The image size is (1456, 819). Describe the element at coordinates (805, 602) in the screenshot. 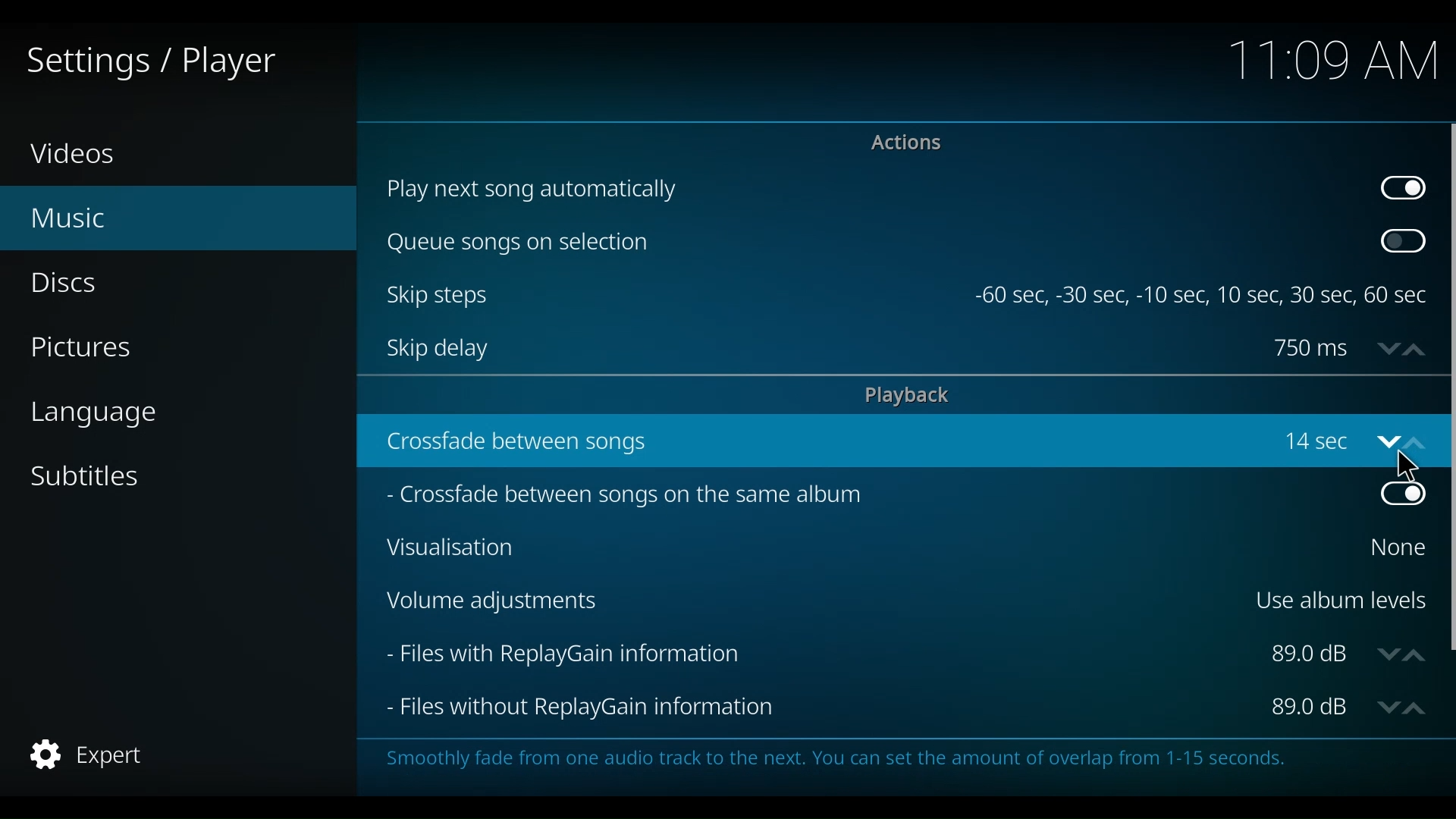

I see `Volume Adjustments` at that location.